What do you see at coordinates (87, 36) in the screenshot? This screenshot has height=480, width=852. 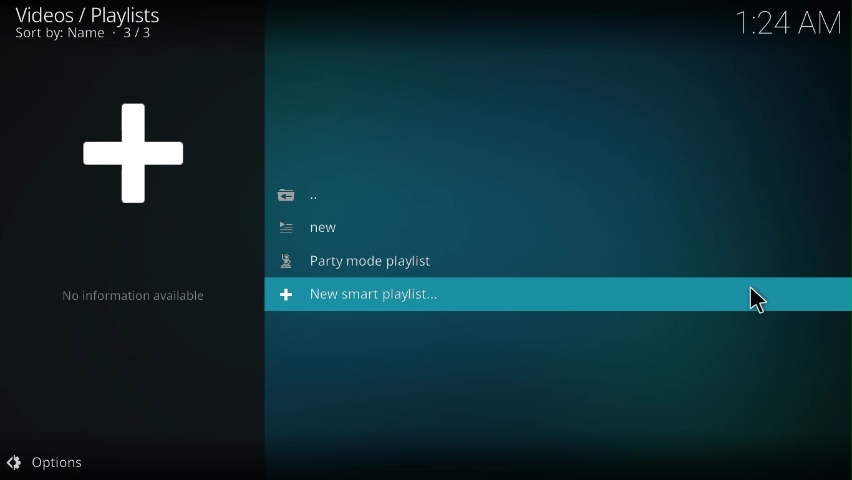 I see `sort by name` at bounding box center [87, 36].